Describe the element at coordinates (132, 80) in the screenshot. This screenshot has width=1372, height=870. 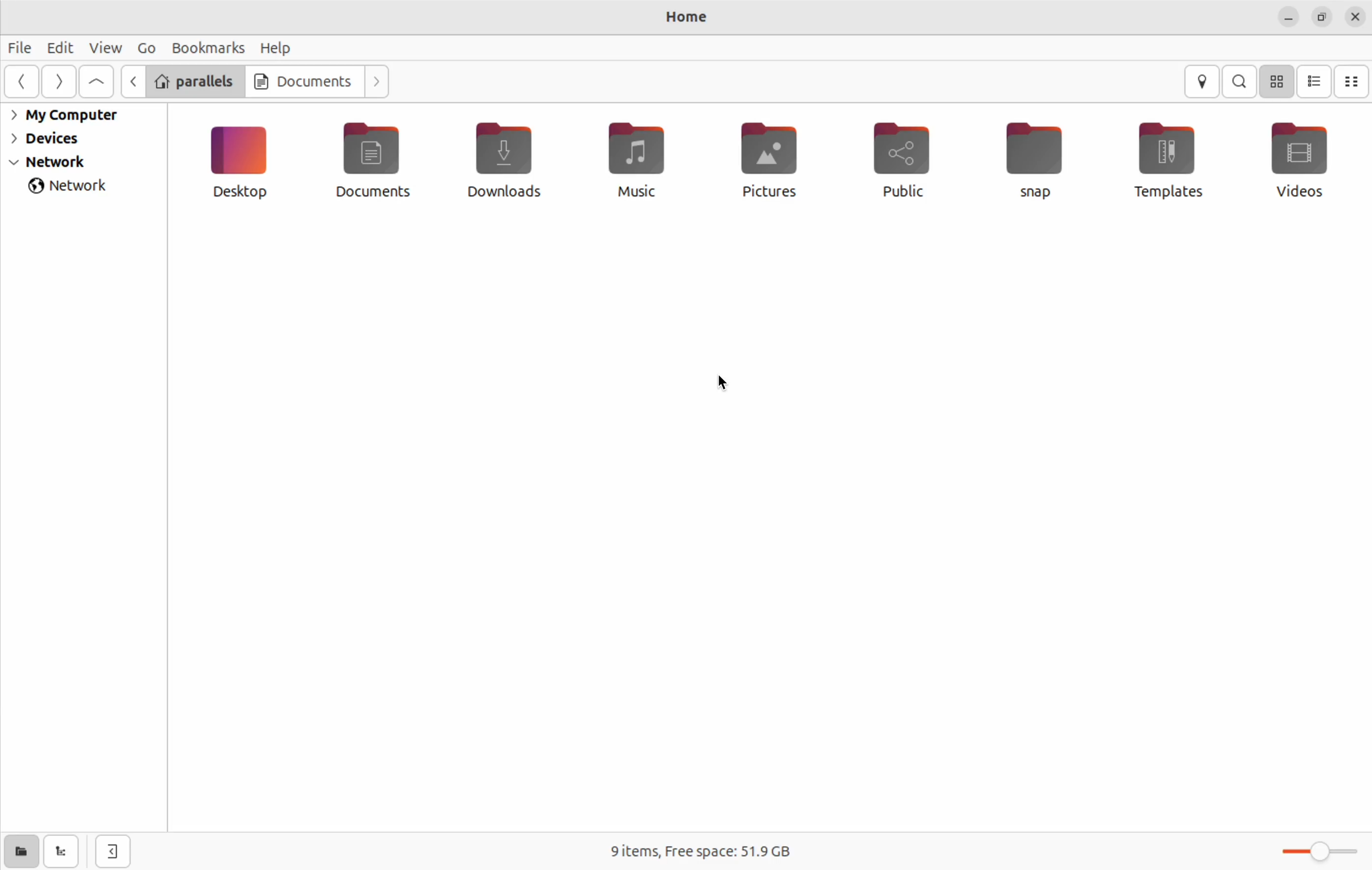
I see `backward` at that location.